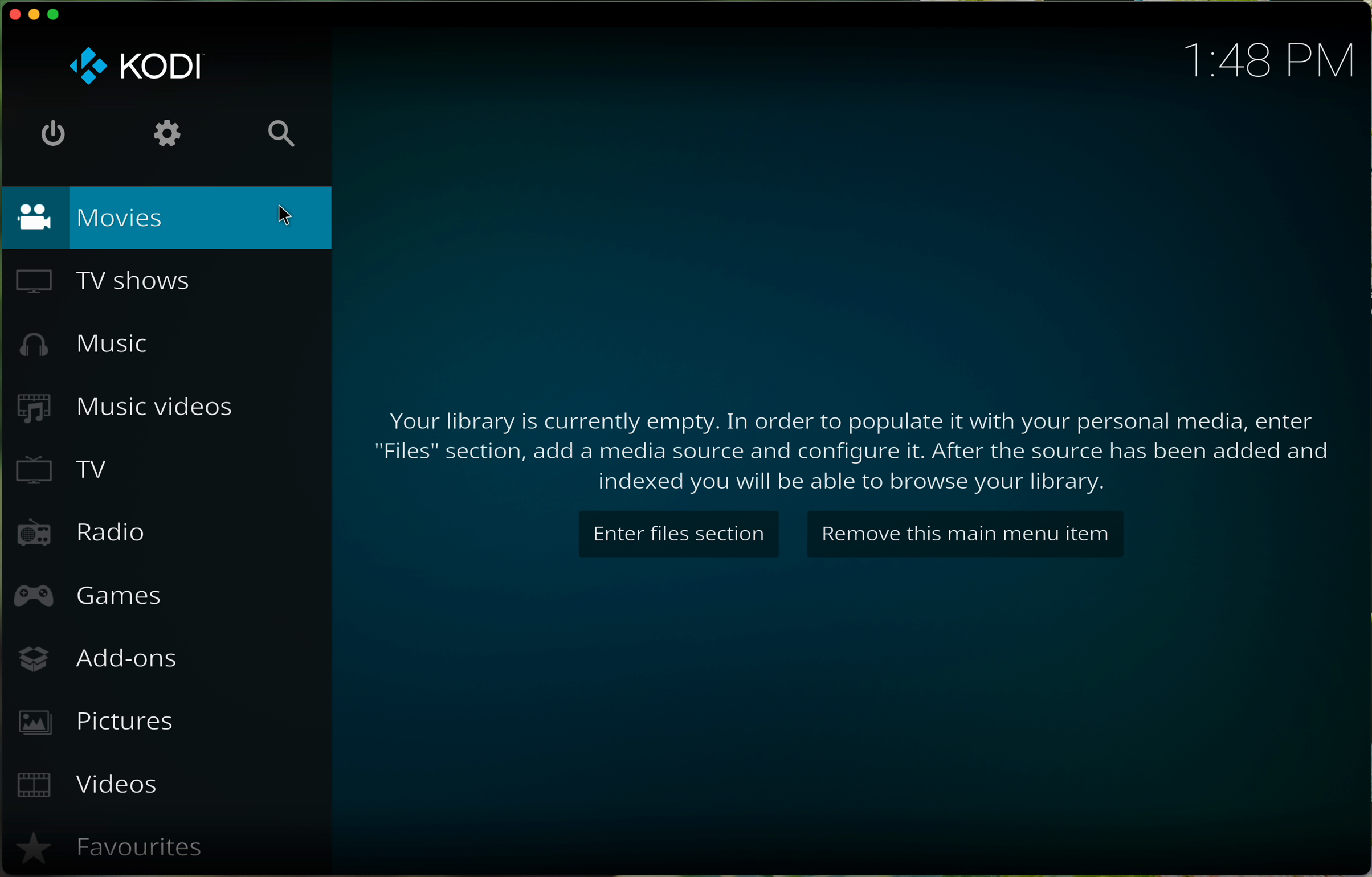 This screenshot has width=1372, height=877. What do you see at coordinates (854, 453) in the screenshot?
I see `text` at bounding box center [854, 453].